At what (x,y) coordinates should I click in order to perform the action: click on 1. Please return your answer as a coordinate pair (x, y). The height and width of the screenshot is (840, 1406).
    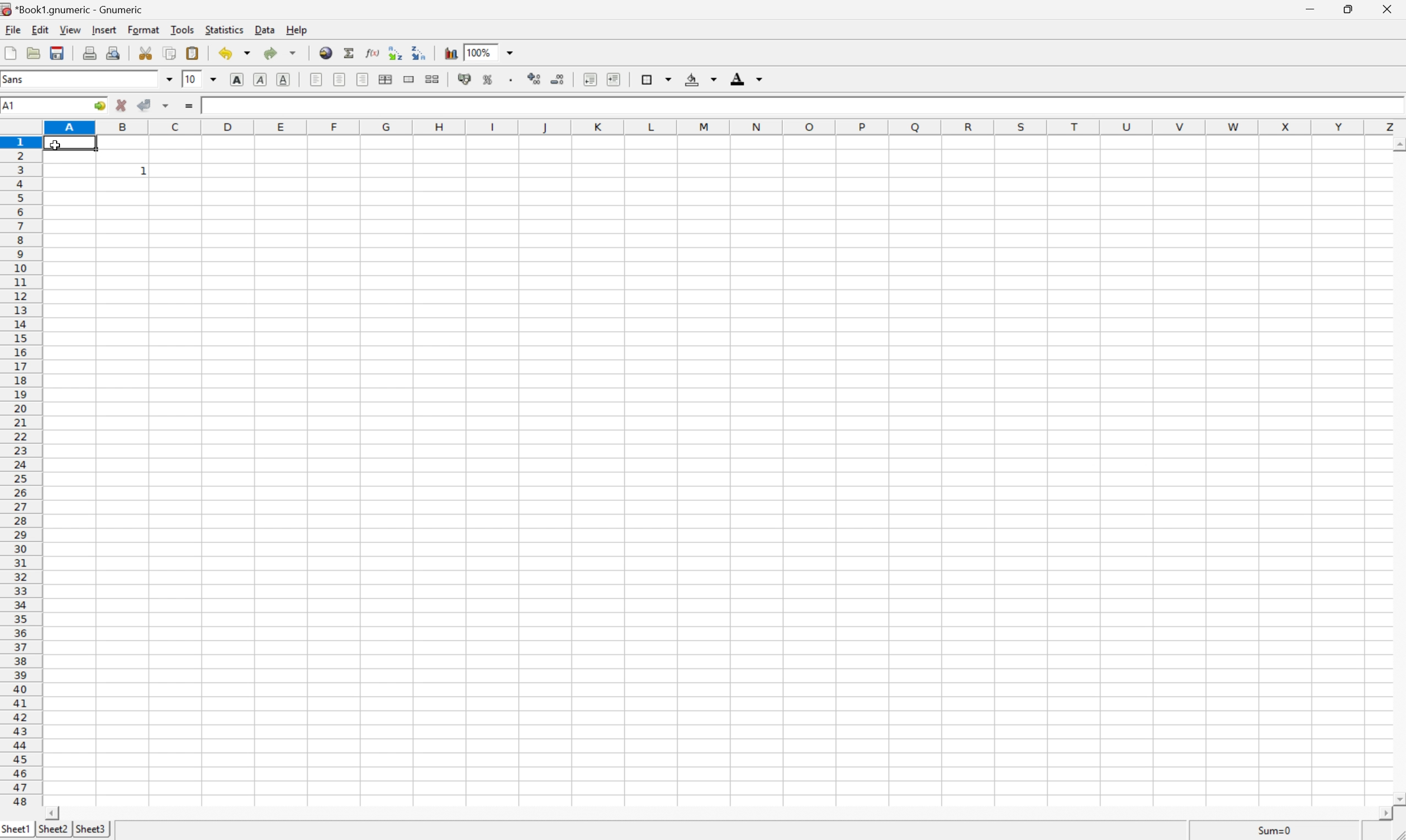
    Looking at the image, I should click on (143, 172).